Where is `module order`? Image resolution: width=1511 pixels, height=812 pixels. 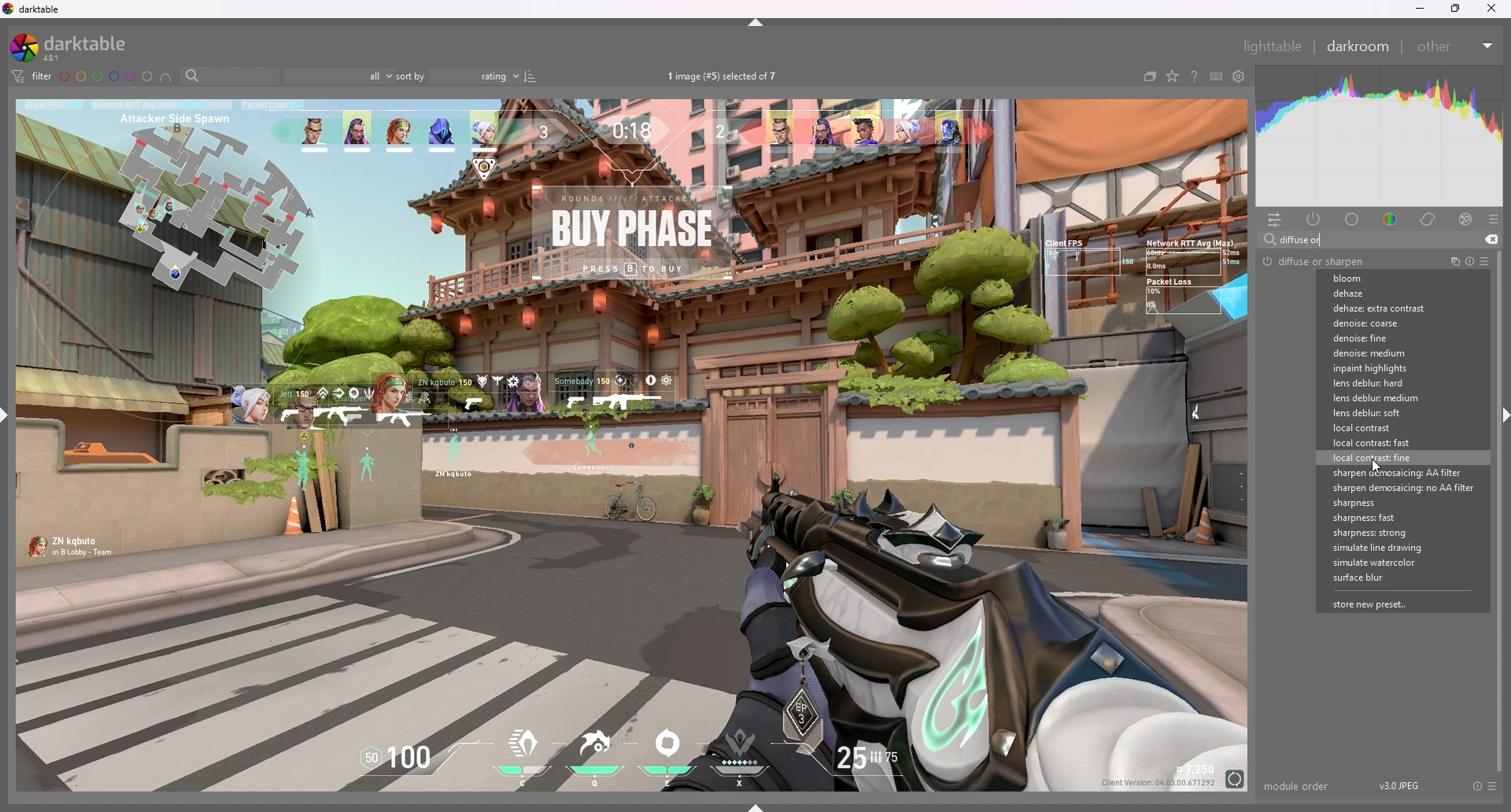 module order is located at coordinates (1297, 786).